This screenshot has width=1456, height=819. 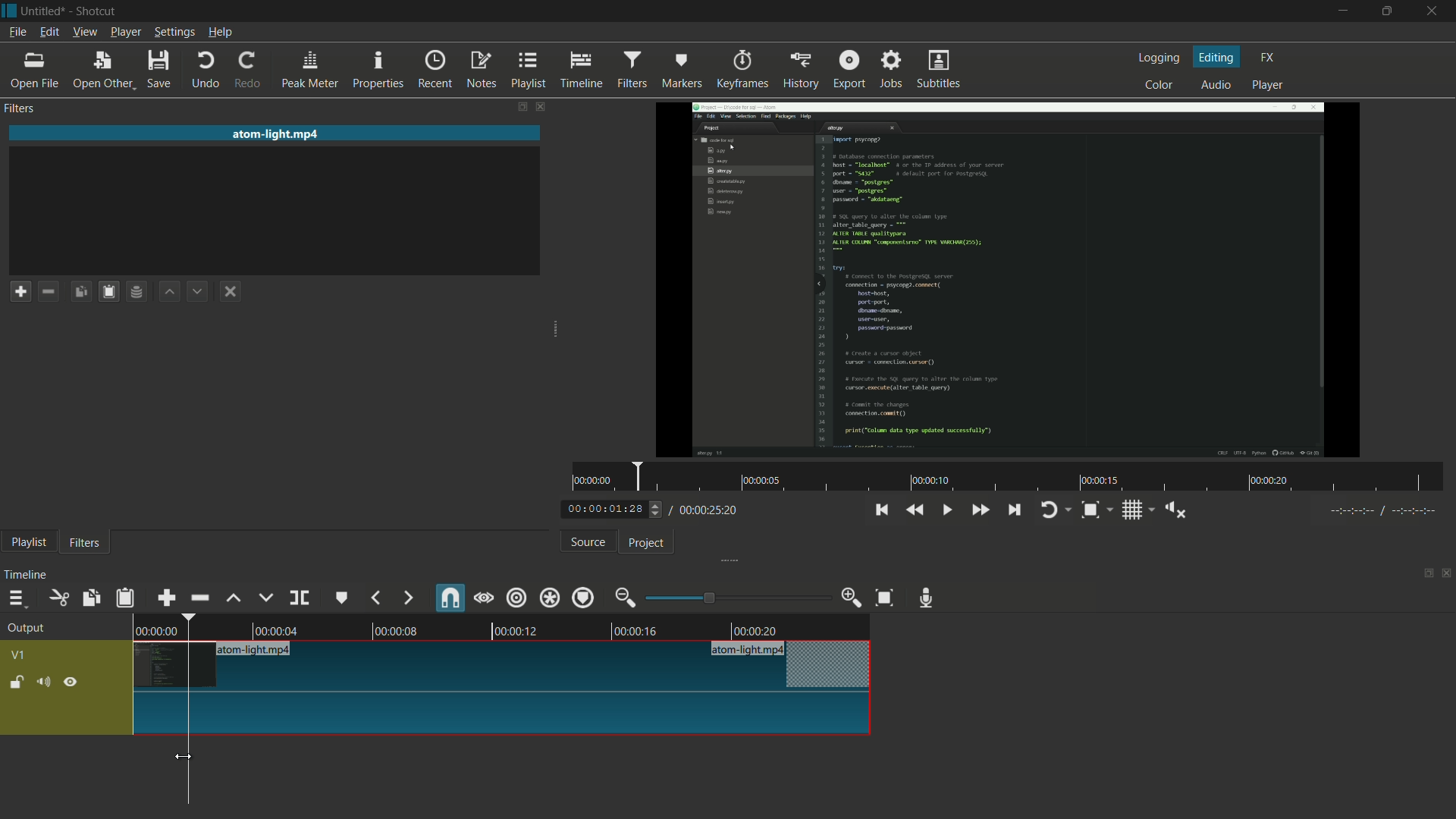 I want to click on next marker, so click(x=407, y=598).